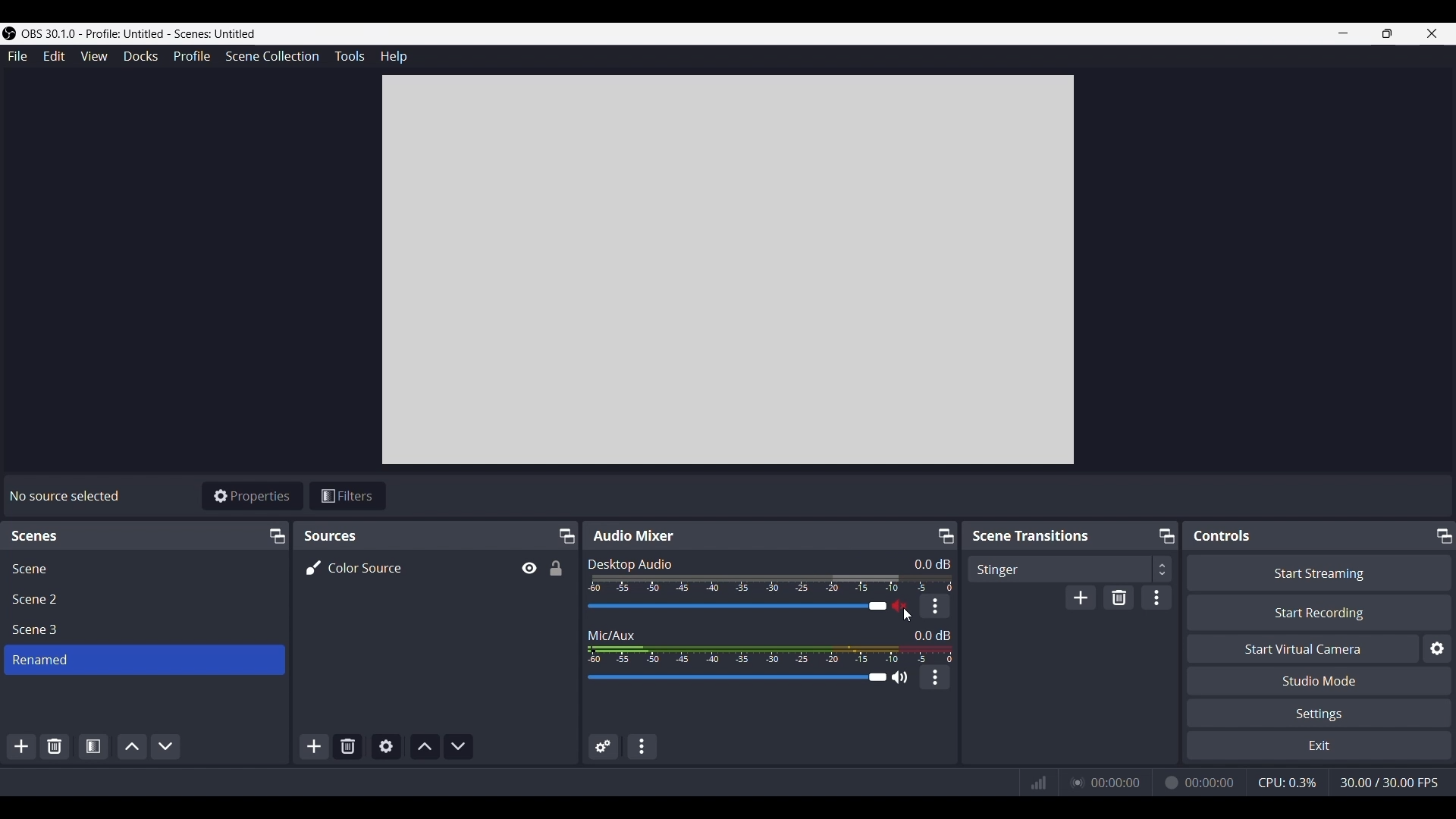  Describe the element at coordinates (736, 607) in the screenshot. I see `Increase/Decrease desktop audio volume` at that location.